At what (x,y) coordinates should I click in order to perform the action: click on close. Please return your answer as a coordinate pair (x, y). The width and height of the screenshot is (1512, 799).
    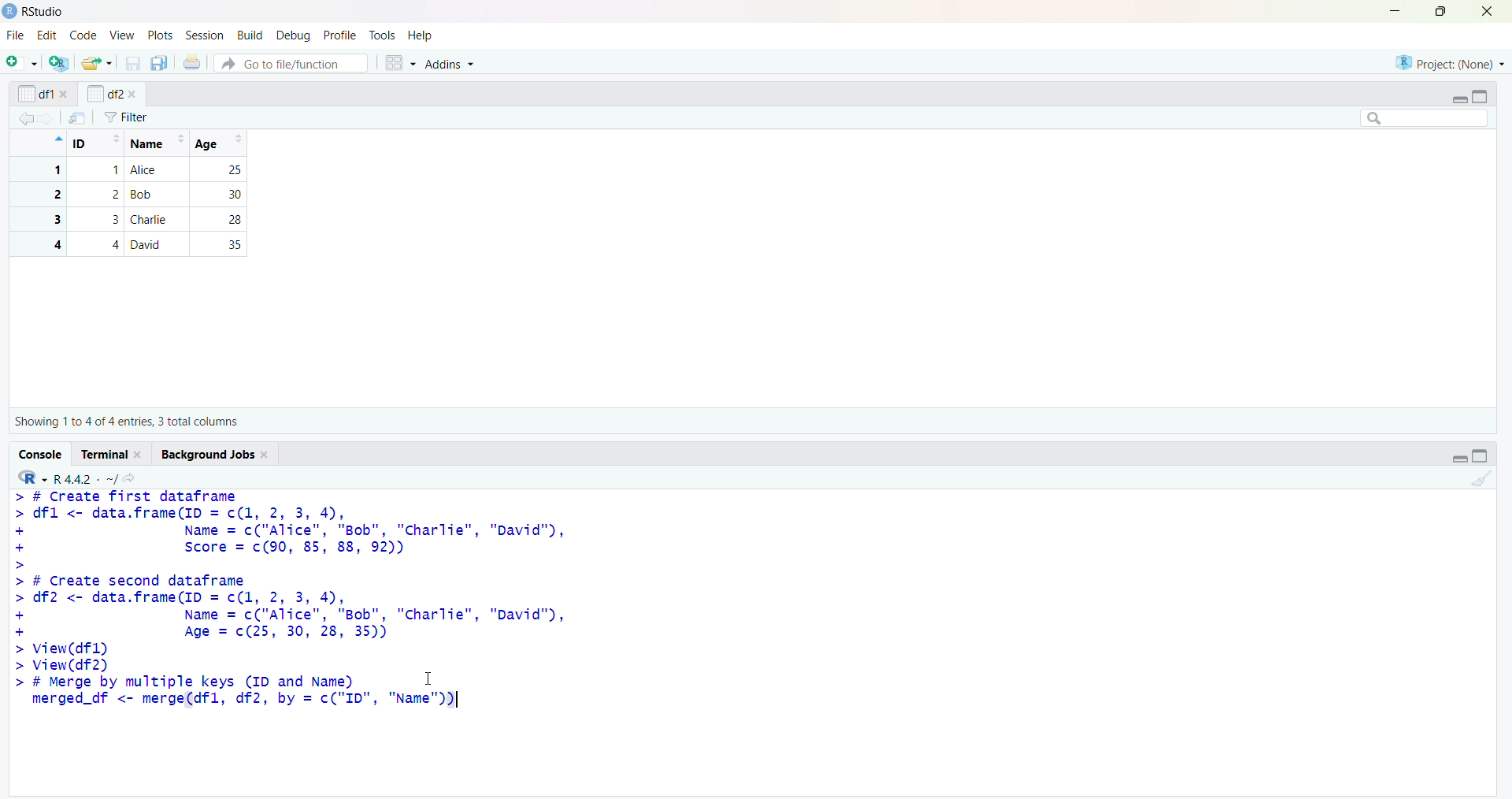
    Looking at the image, I should click on (1488, 11).